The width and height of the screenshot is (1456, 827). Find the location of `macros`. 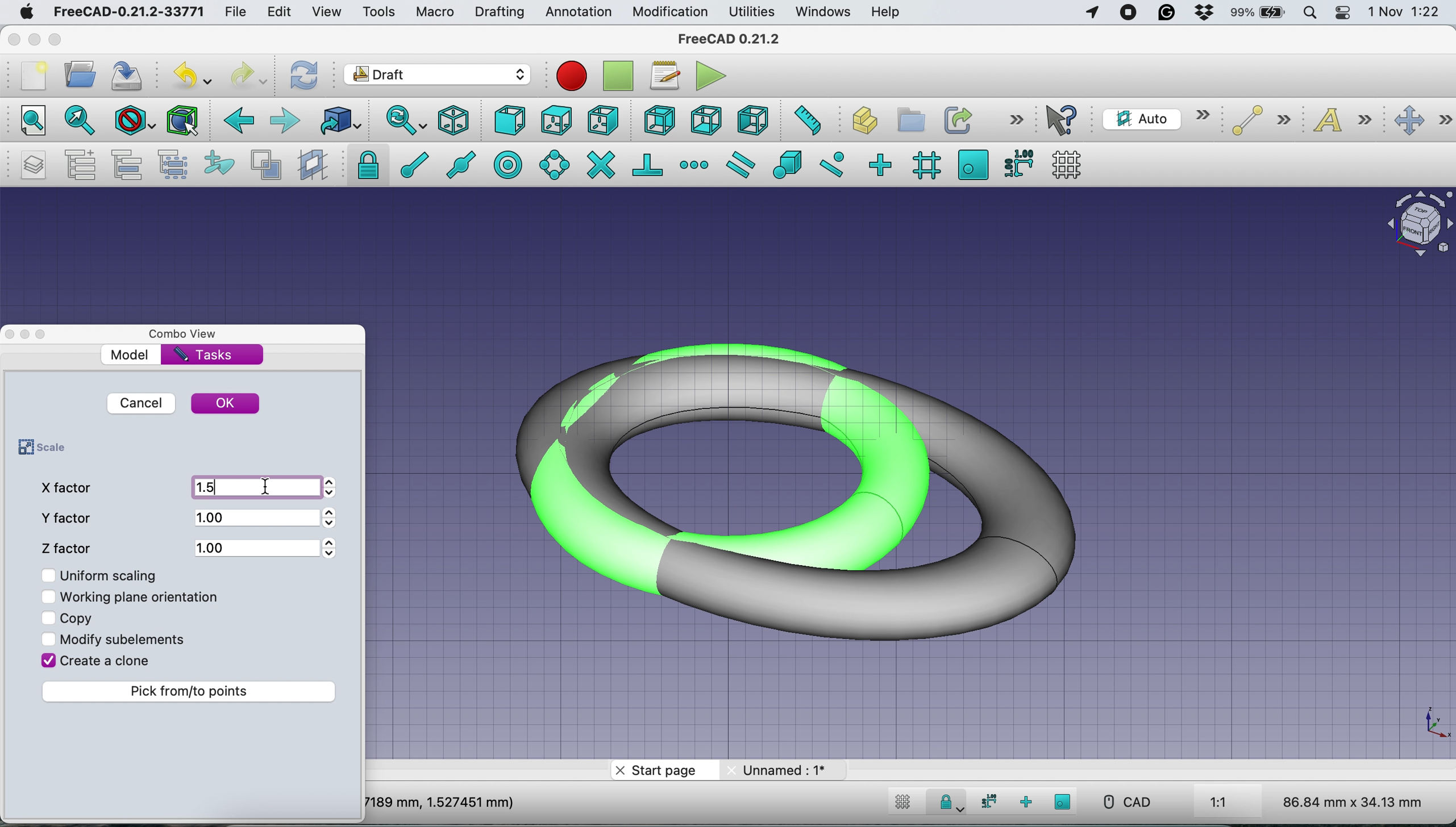

macros is located at coordinates (664, 79).